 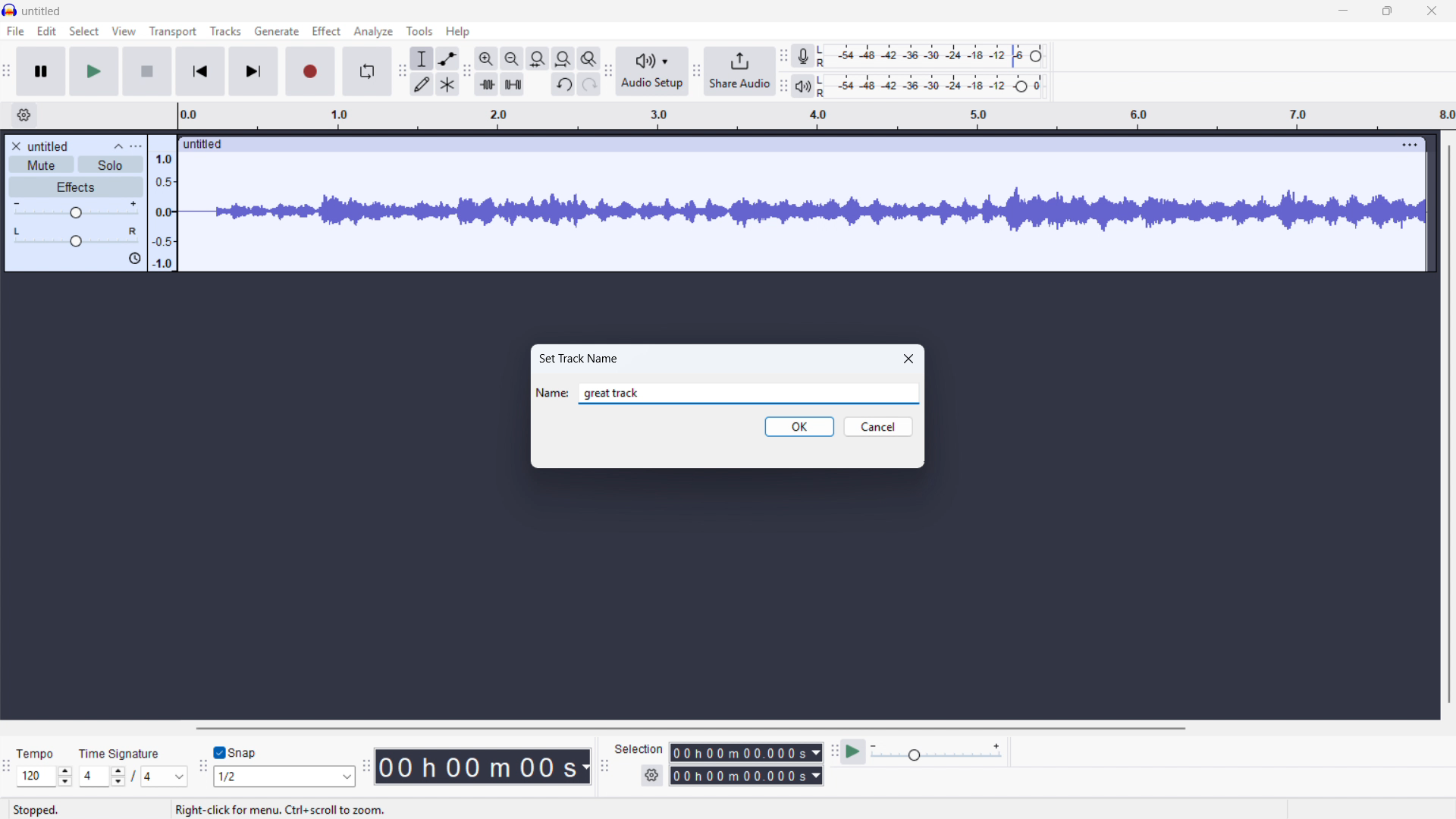 I want to click on Recording metre , so click(x=802, y=56).